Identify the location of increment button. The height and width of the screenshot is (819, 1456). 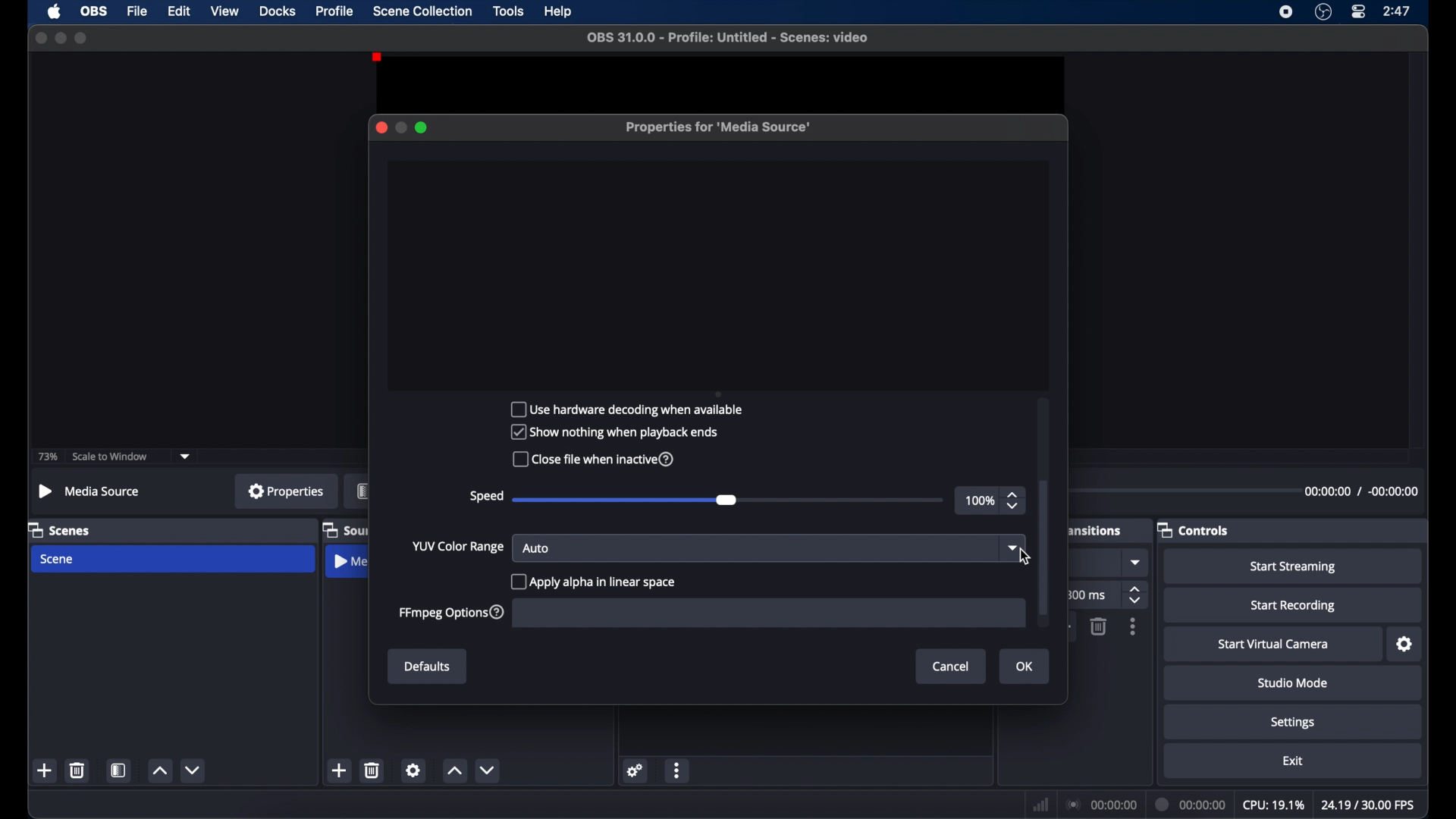
(159, 770).